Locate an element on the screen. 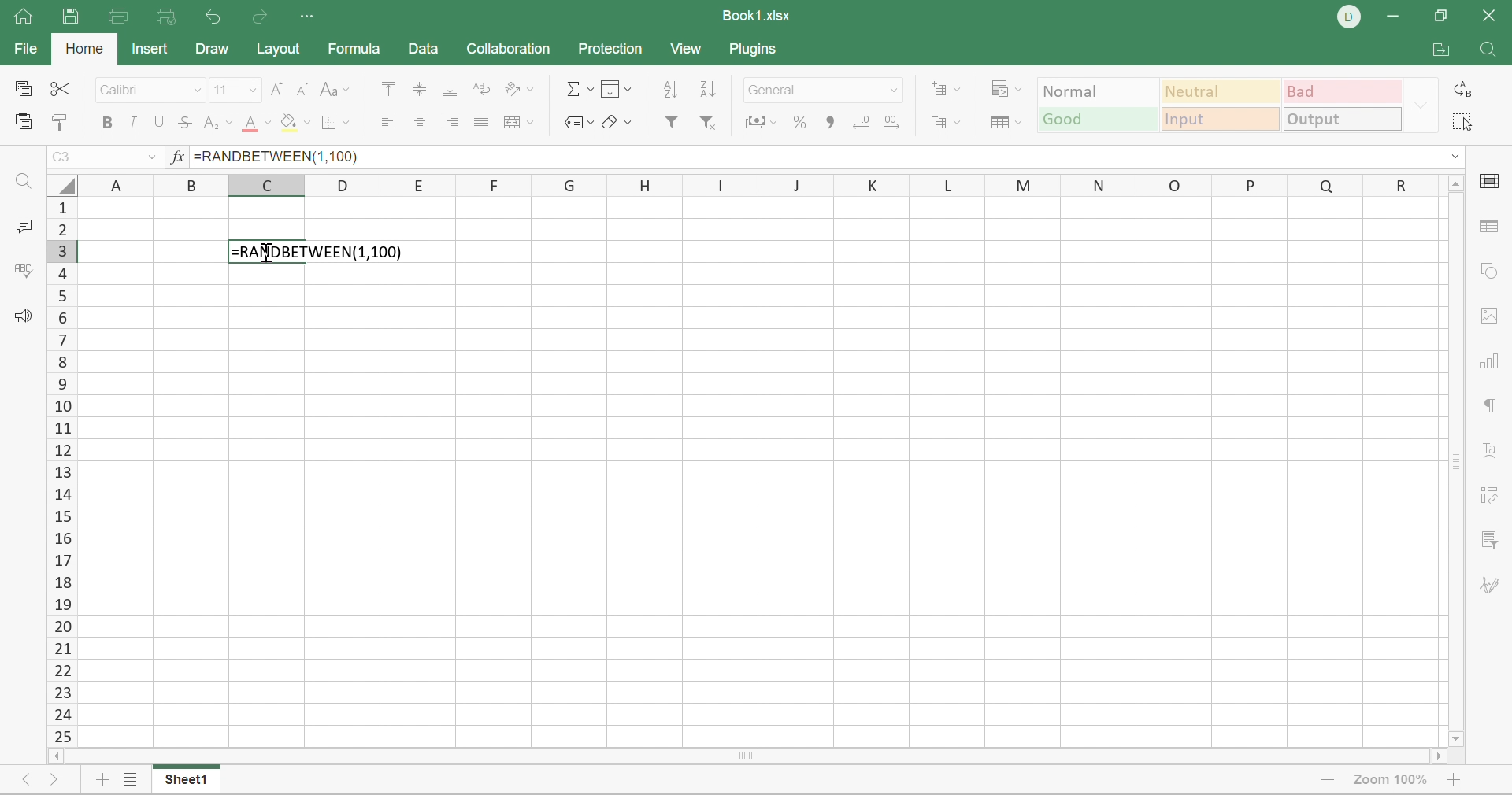 The image size is (1512, 795). images settings is located at coordinates (1485, 317).